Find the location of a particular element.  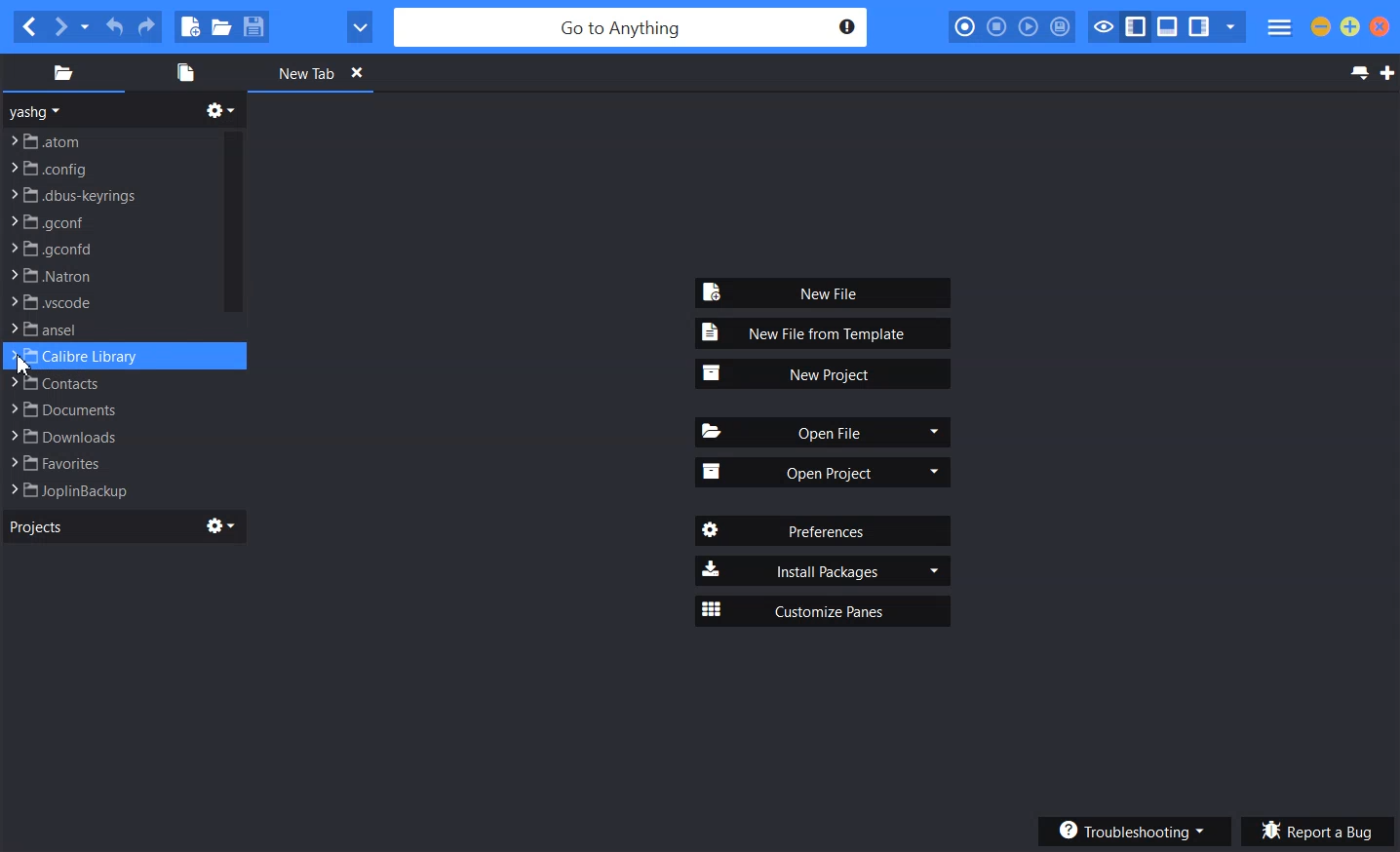

Toggle Focus Mode is located at coordinates (1102, 27).